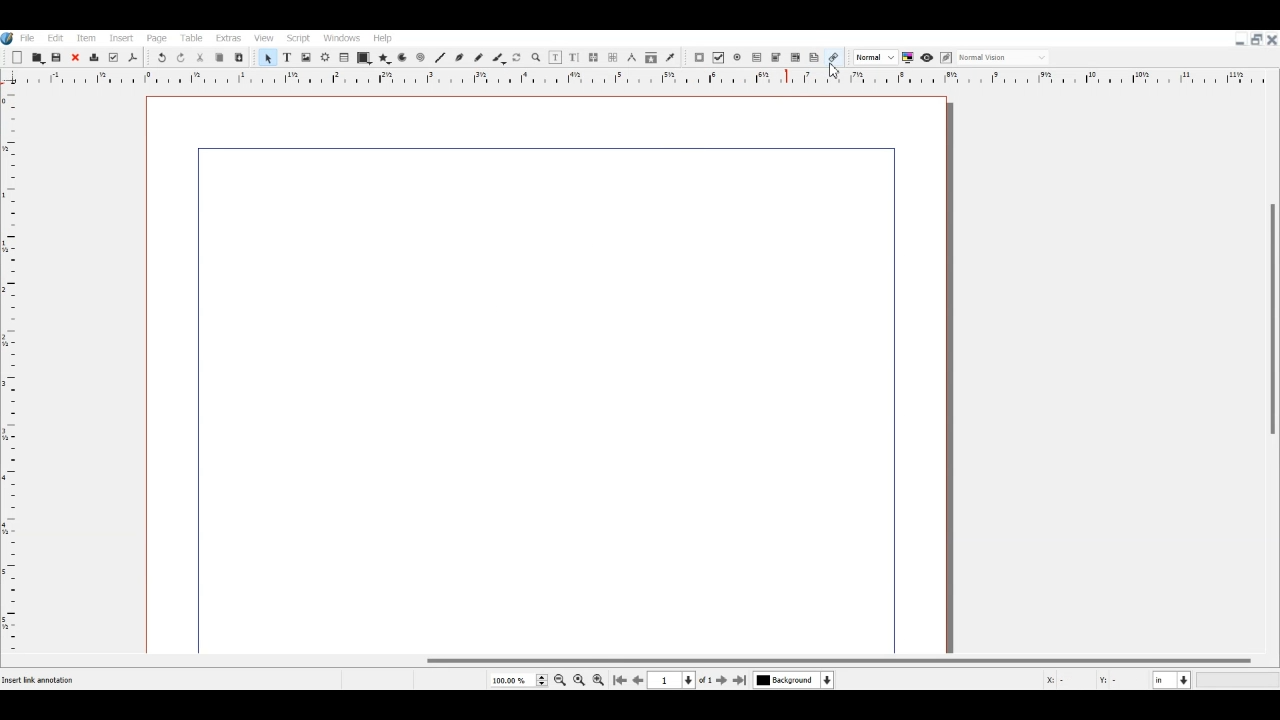 The image size is (1280, 720). Describe the element at coordinates (535, 57) in the screenshot. I see `Zoom in or out` at that location.